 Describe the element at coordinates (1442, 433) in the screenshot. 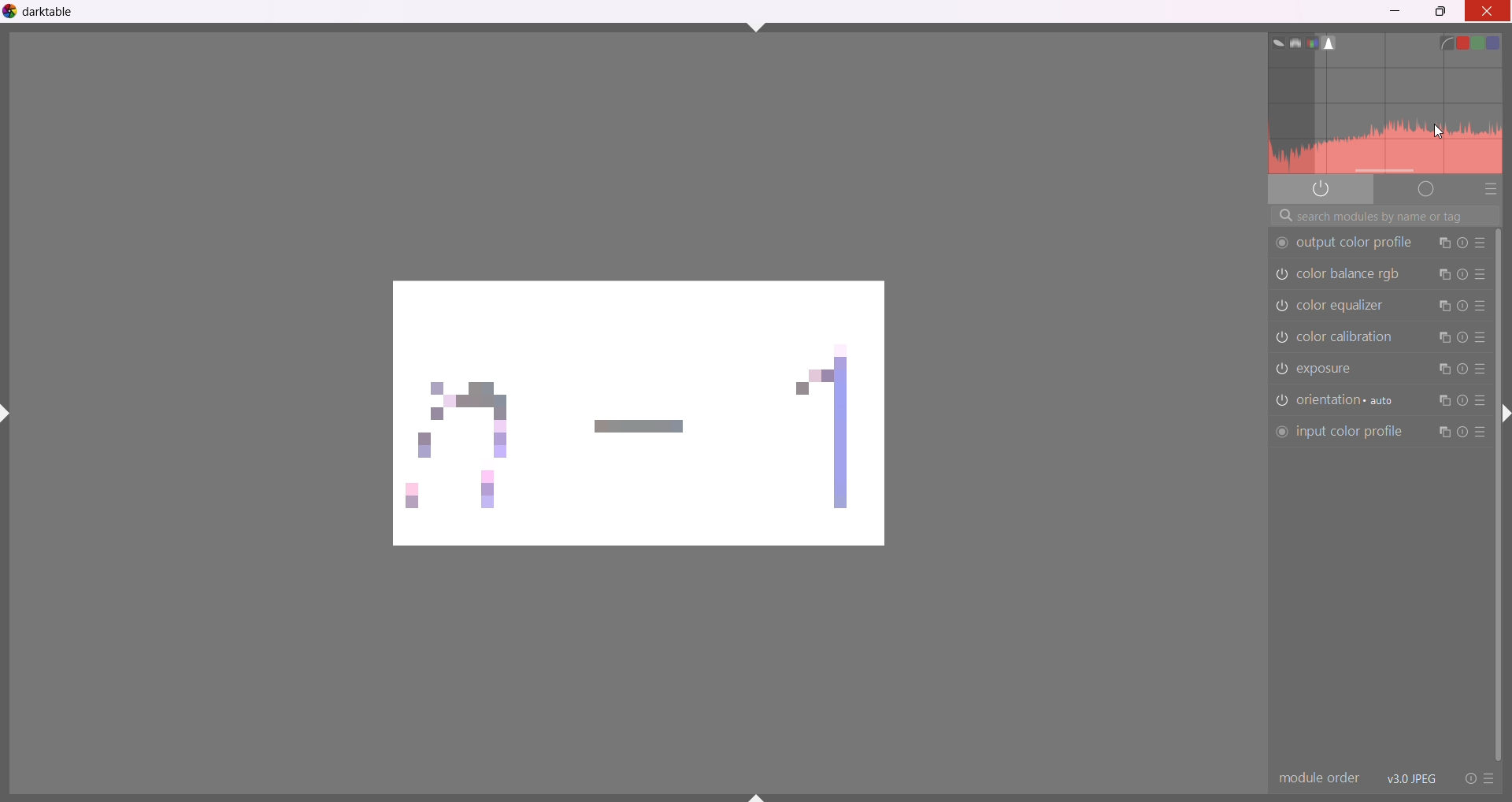

I see `instance` at that location.